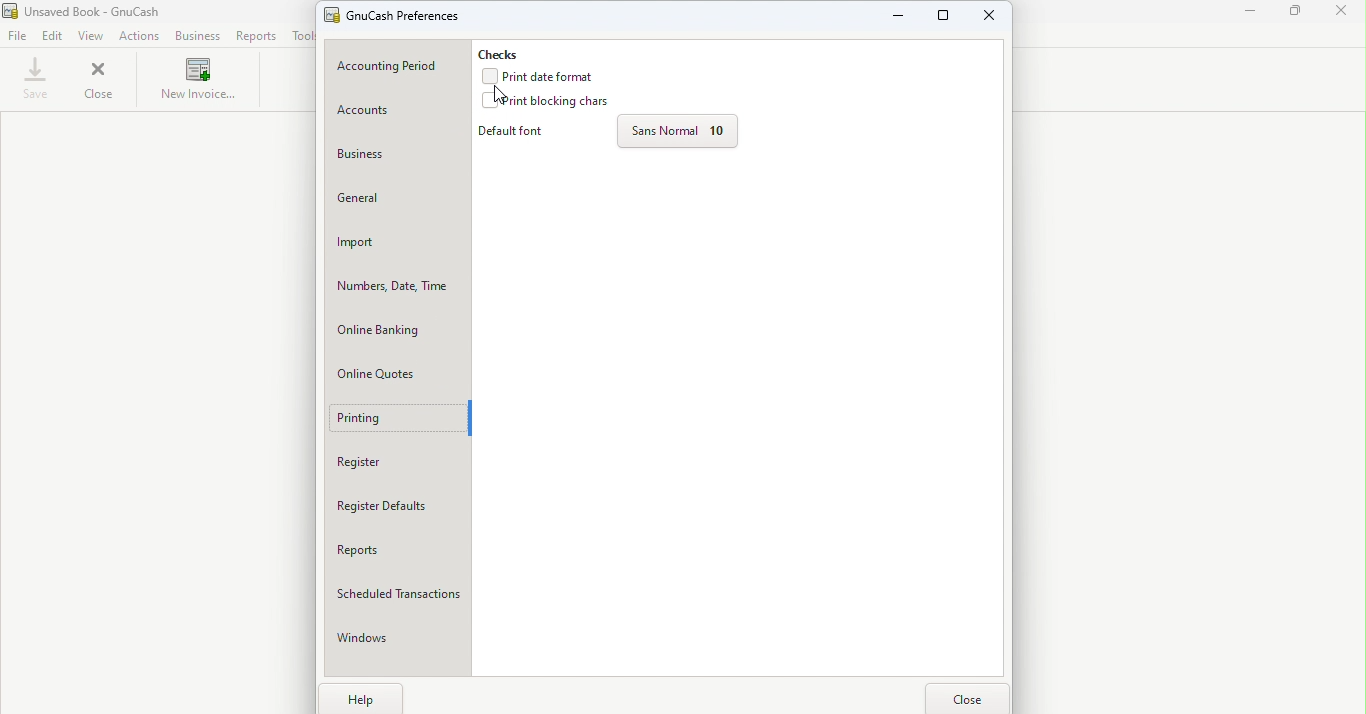 The width and height of the screenshot is (1366, 714). What do you see at coordinates (100, 83) in the screenshot?
I see `Close` at bounding box center [100, 83].